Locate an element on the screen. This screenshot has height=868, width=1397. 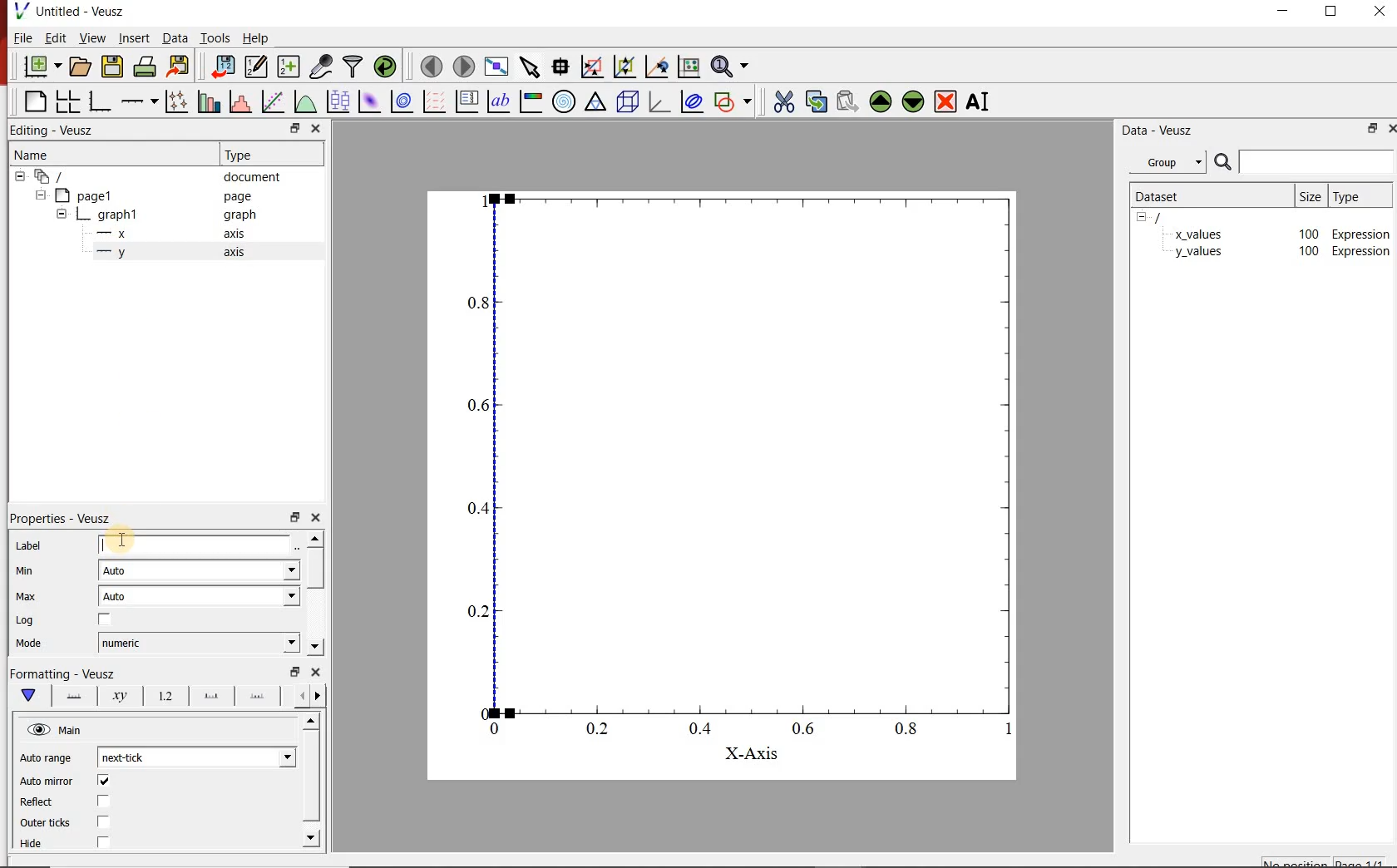
close is located at coordinates (1389, 128).